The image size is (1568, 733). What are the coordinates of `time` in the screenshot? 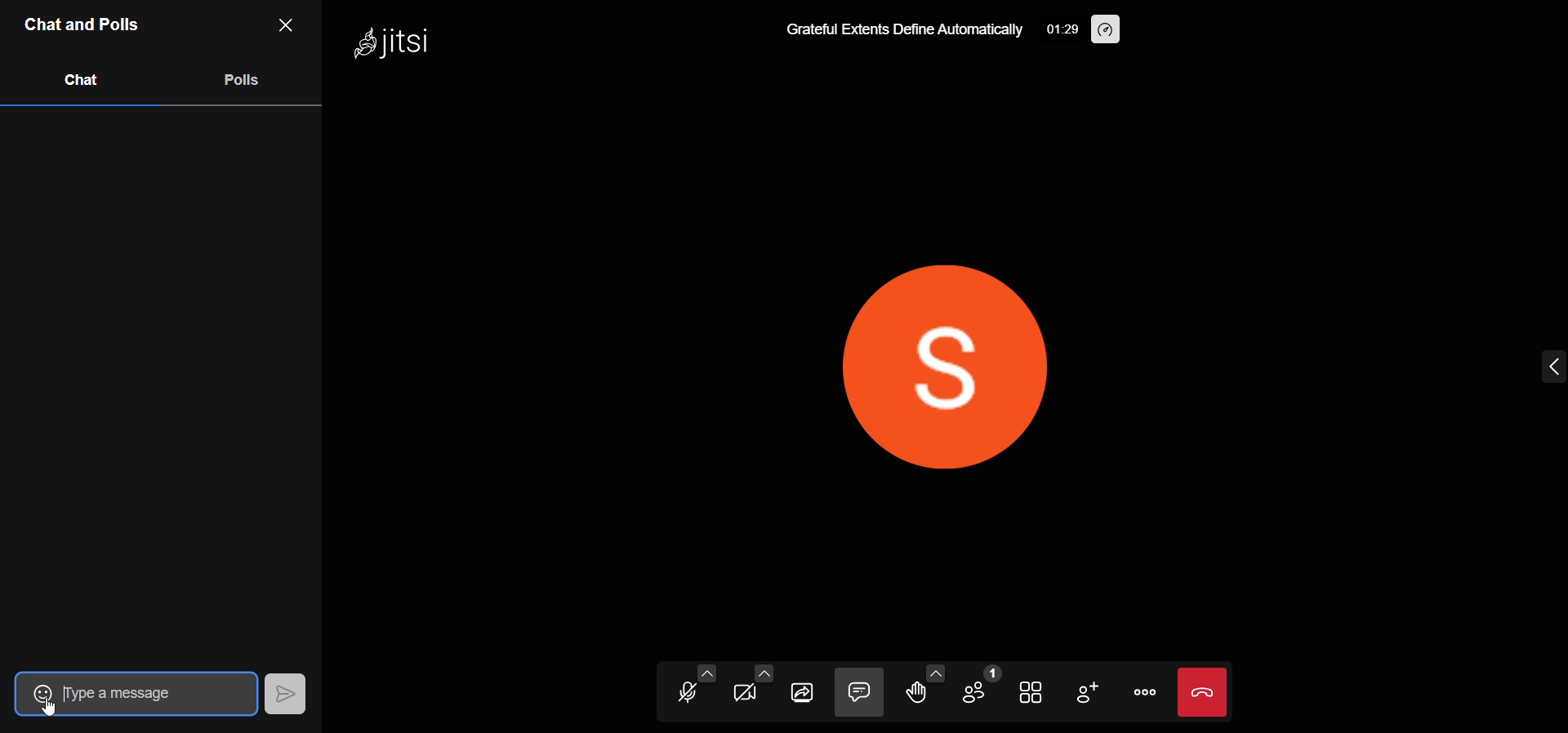 It's located at (1060, 28).